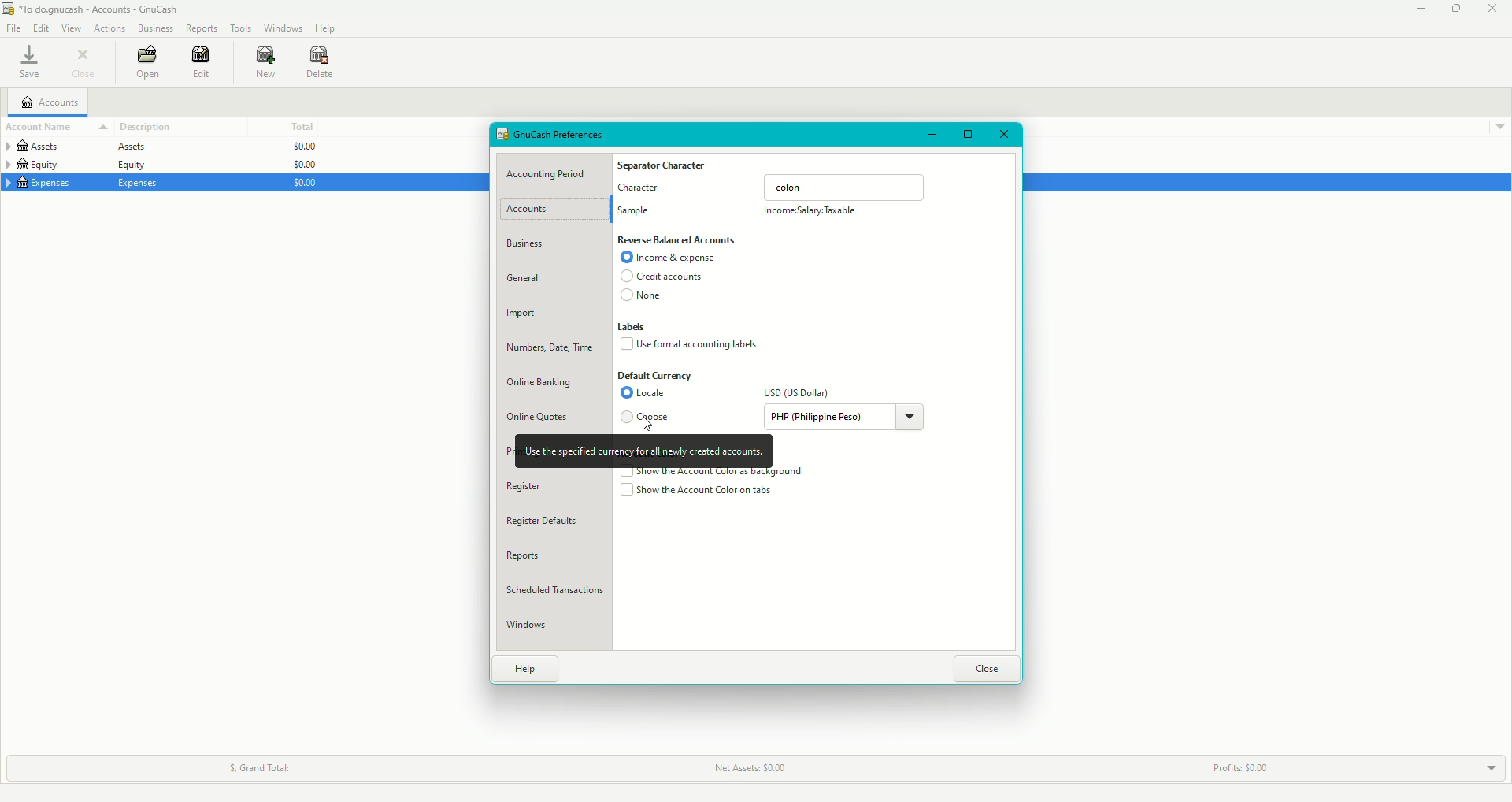 This screenshot has width=1512, height=802. I want to click on Accounts, so click(50, 102).